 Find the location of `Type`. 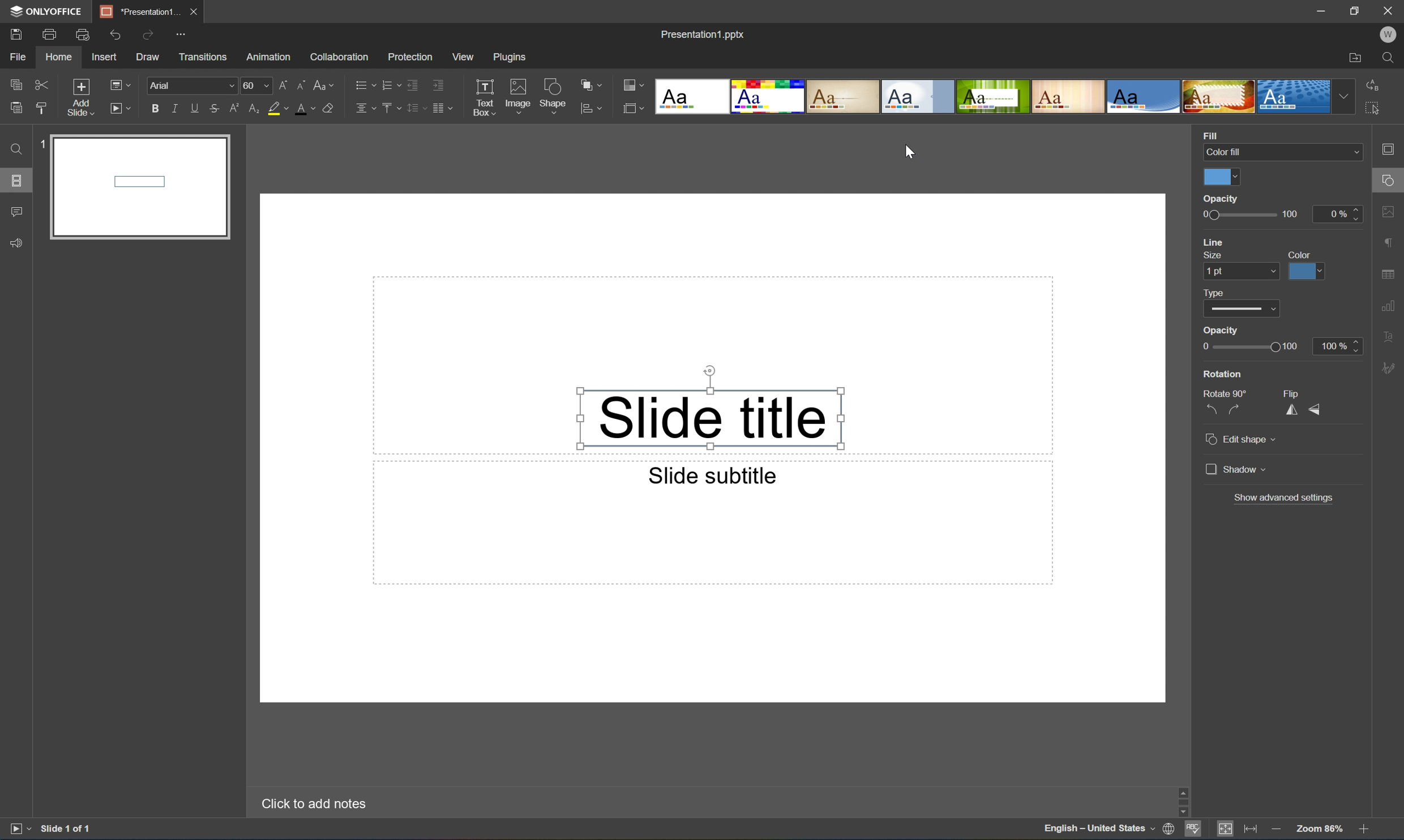

Type is located at coordinates (1238, 310).